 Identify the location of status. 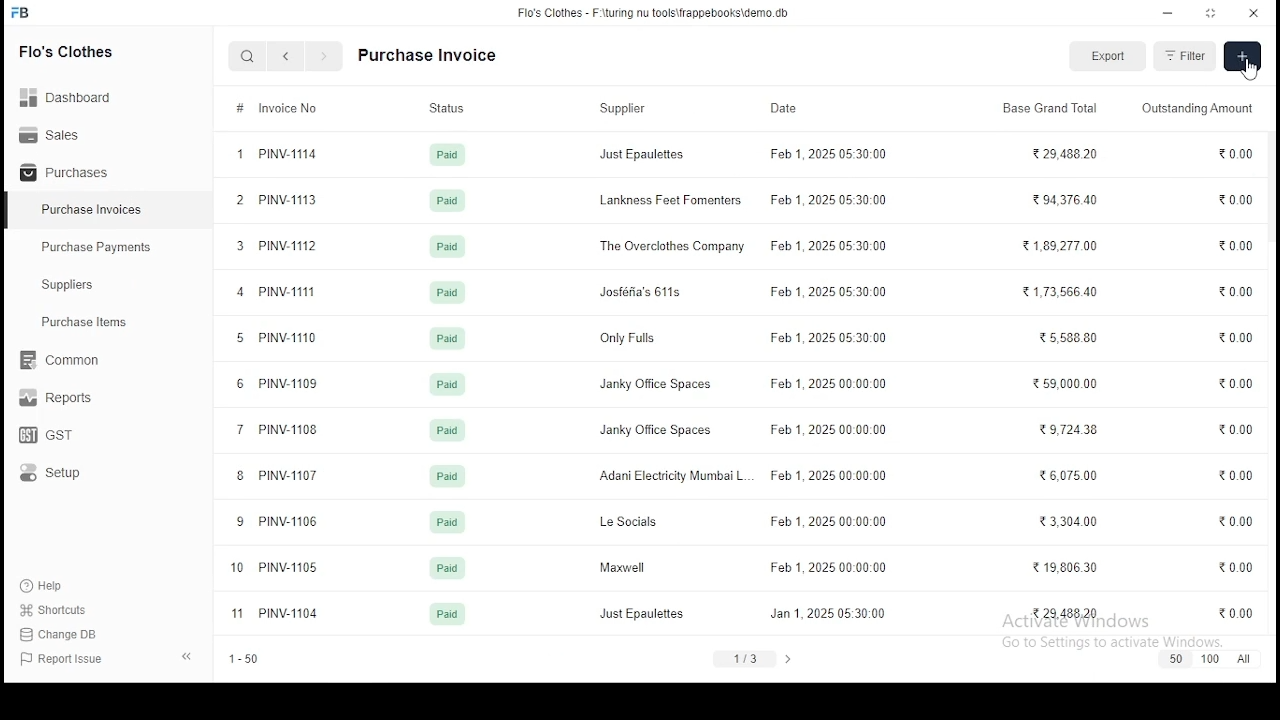
(447, 111).